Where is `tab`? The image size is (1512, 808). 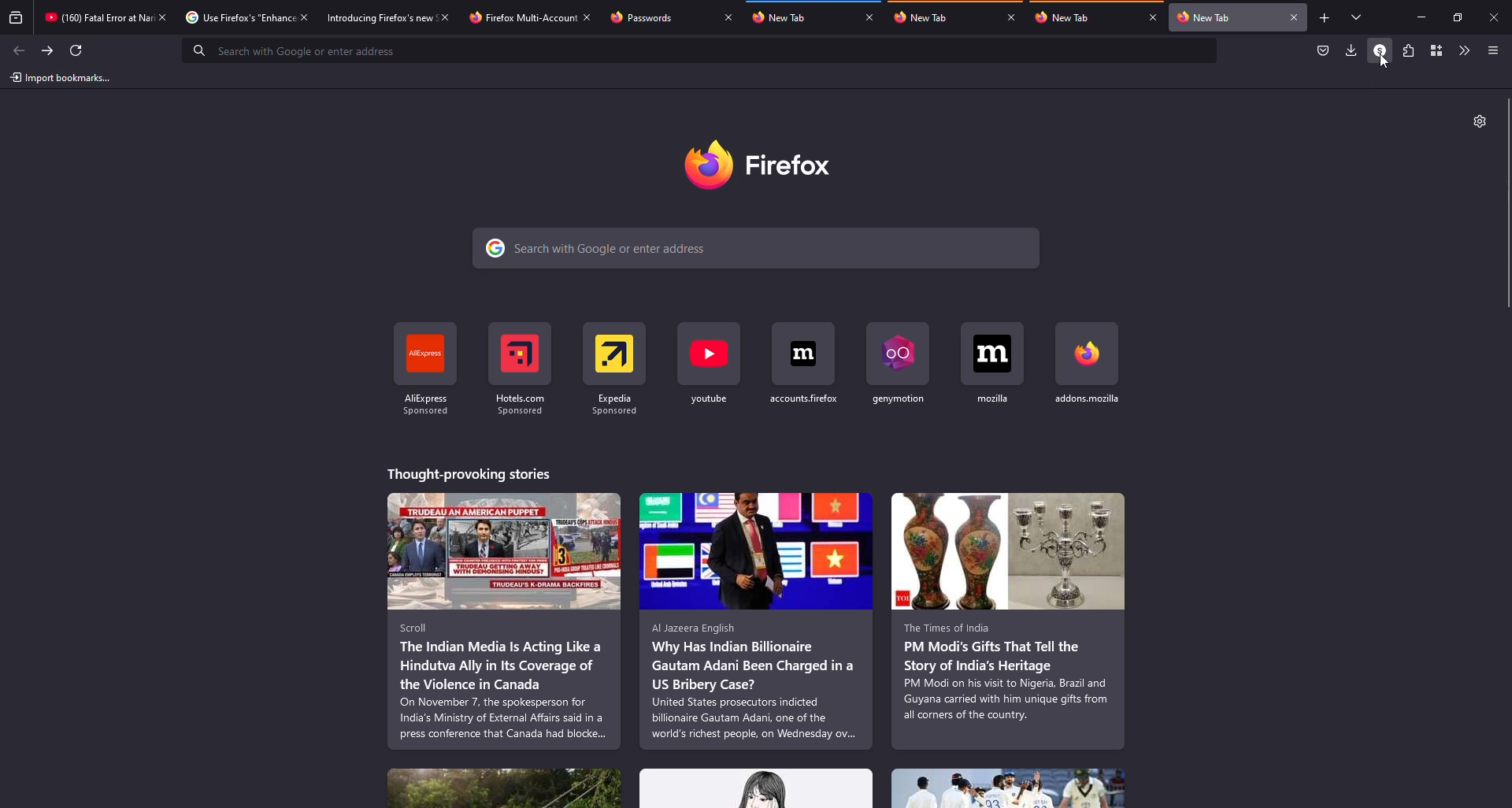
tab is located at coordinates (1065, 18).